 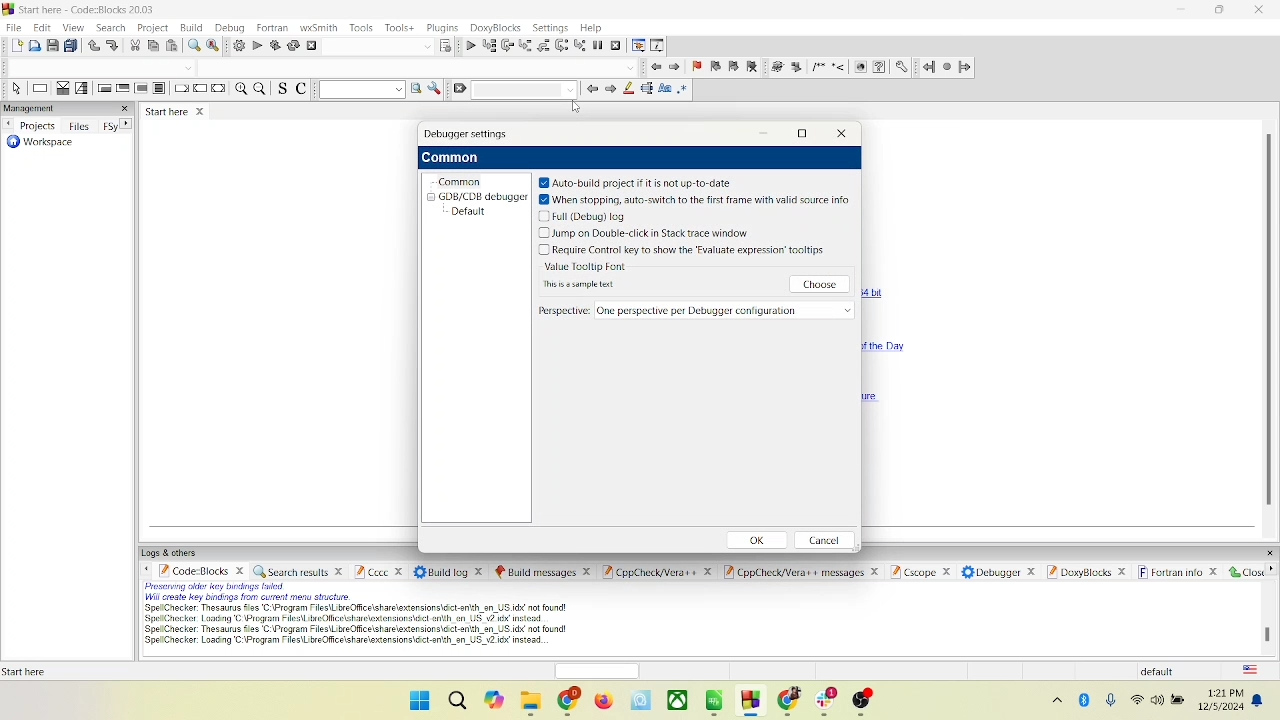 What do you see at coordinates (42, 88) in the screenshot?
I see `instruction` at bounding box center [42, 88].